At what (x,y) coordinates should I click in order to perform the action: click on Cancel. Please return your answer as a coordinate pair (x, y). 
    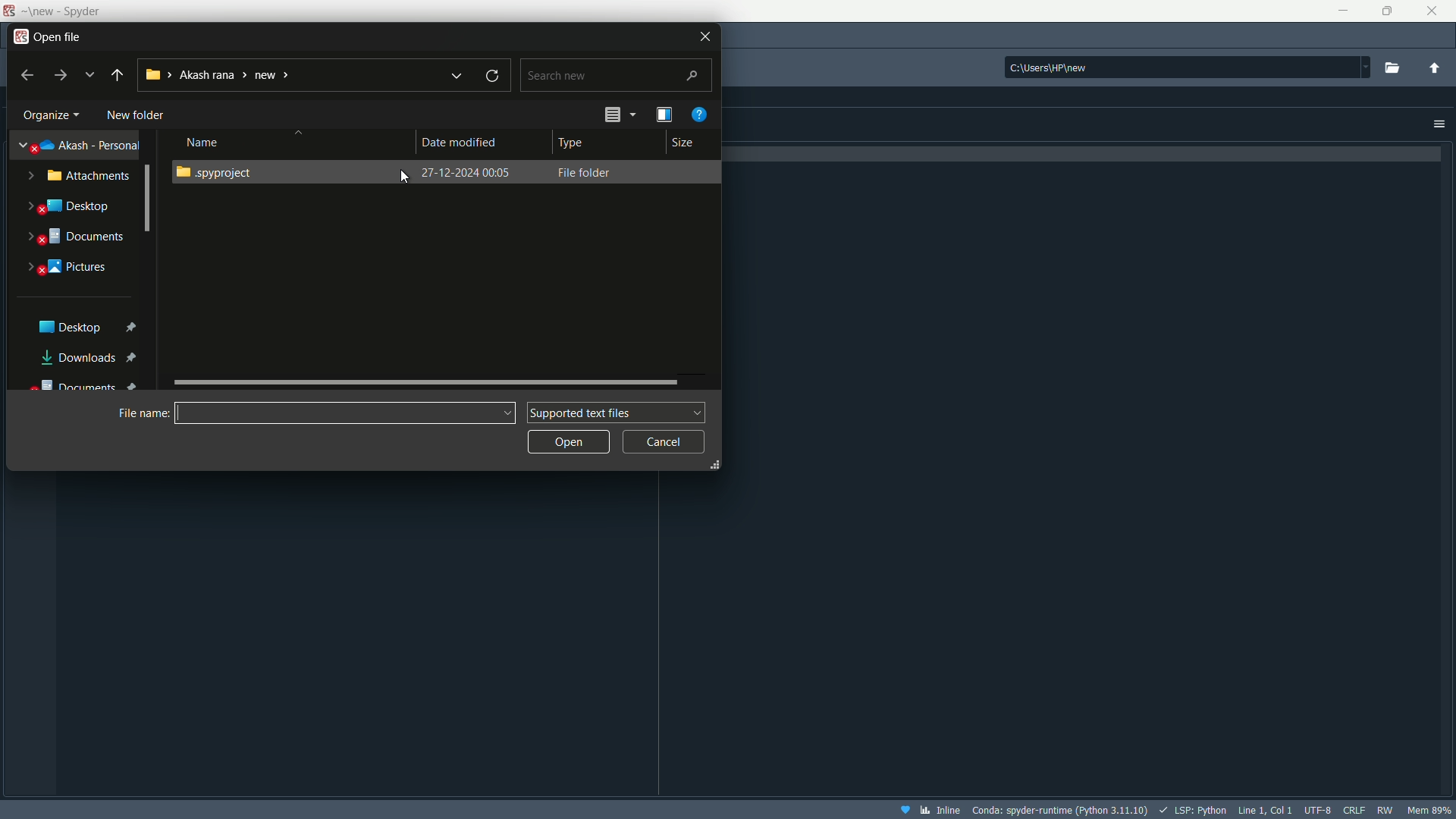
    Looking at the image, I should click on (664, 444).